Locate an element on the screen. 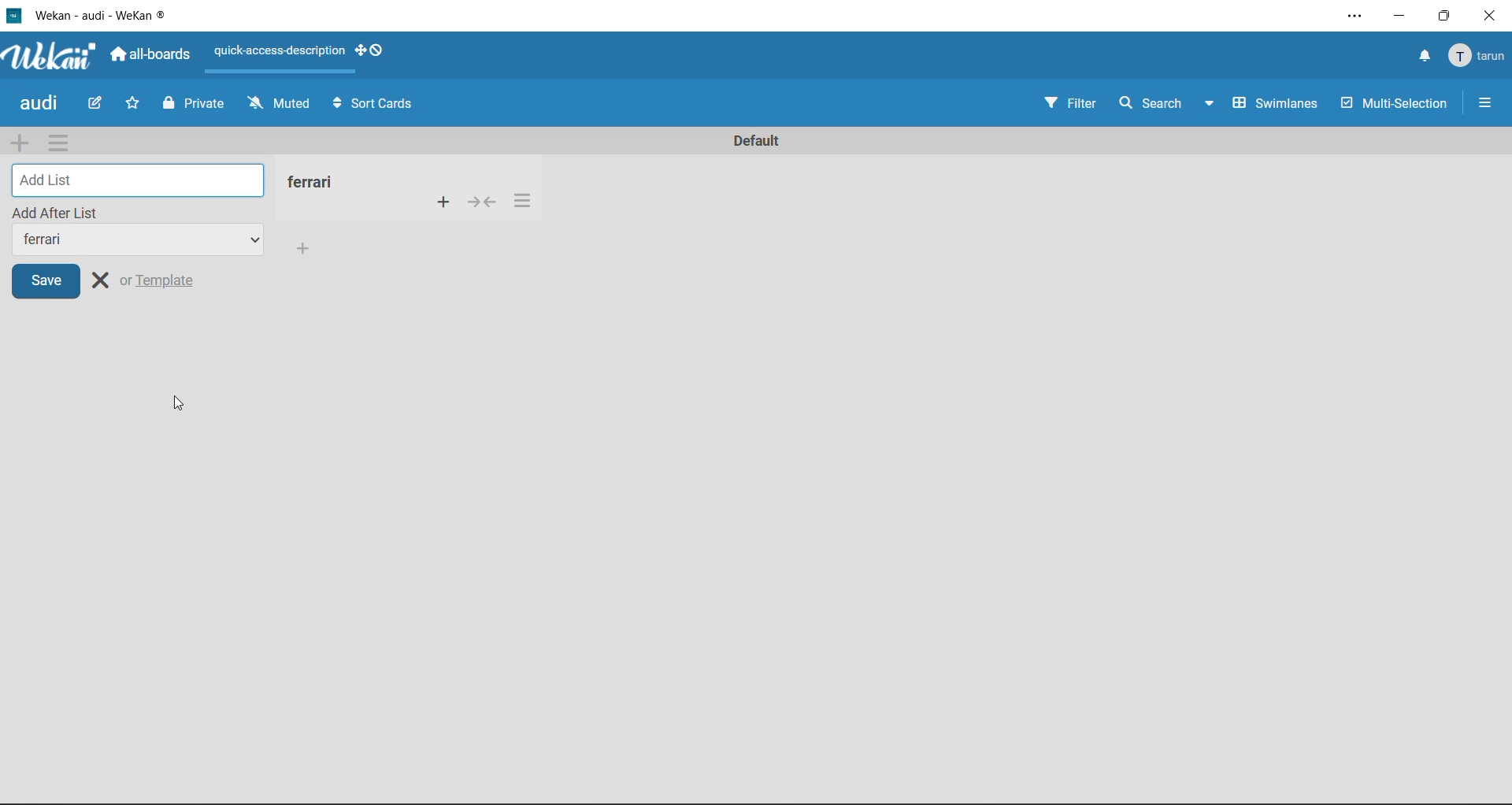 The image size is (1512, 805). collapse is located at coordinates (486, 203).